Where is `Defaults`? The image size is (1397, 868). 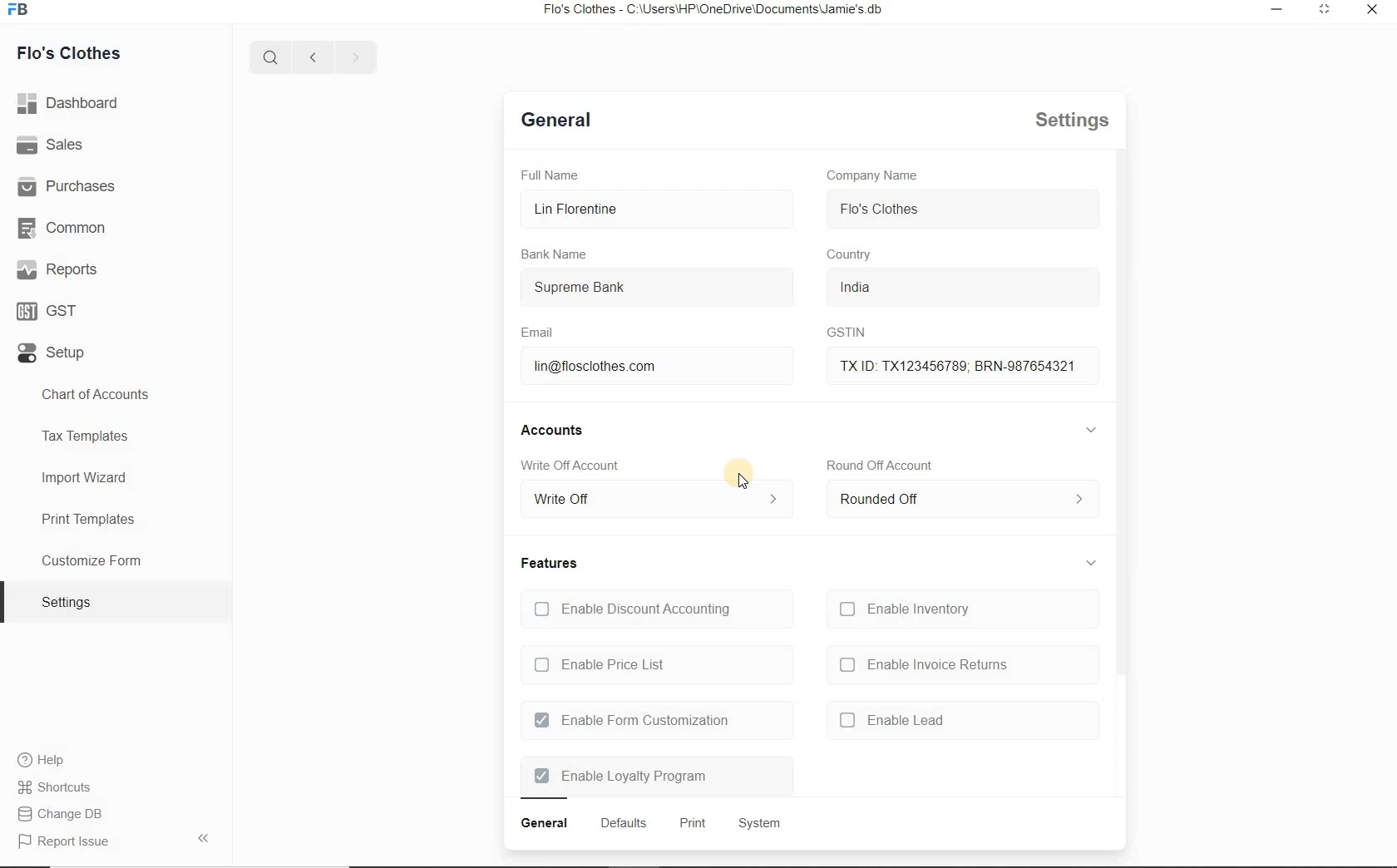 Defaults is located at coordinates (558, 119).